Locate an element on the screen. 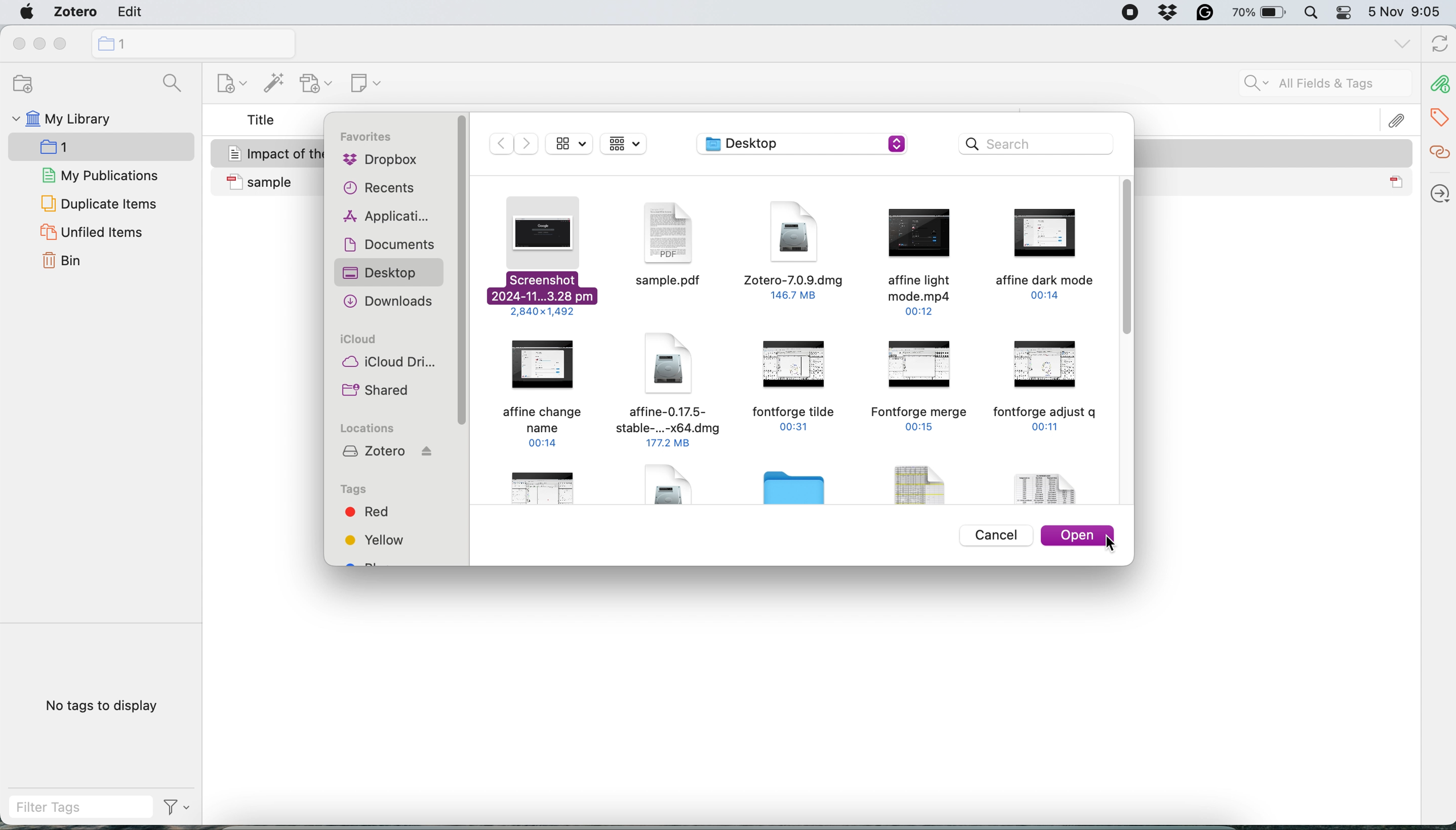 This screenshot has width=1456, height=830. add item by identifier is located at coordinates (271, 84).